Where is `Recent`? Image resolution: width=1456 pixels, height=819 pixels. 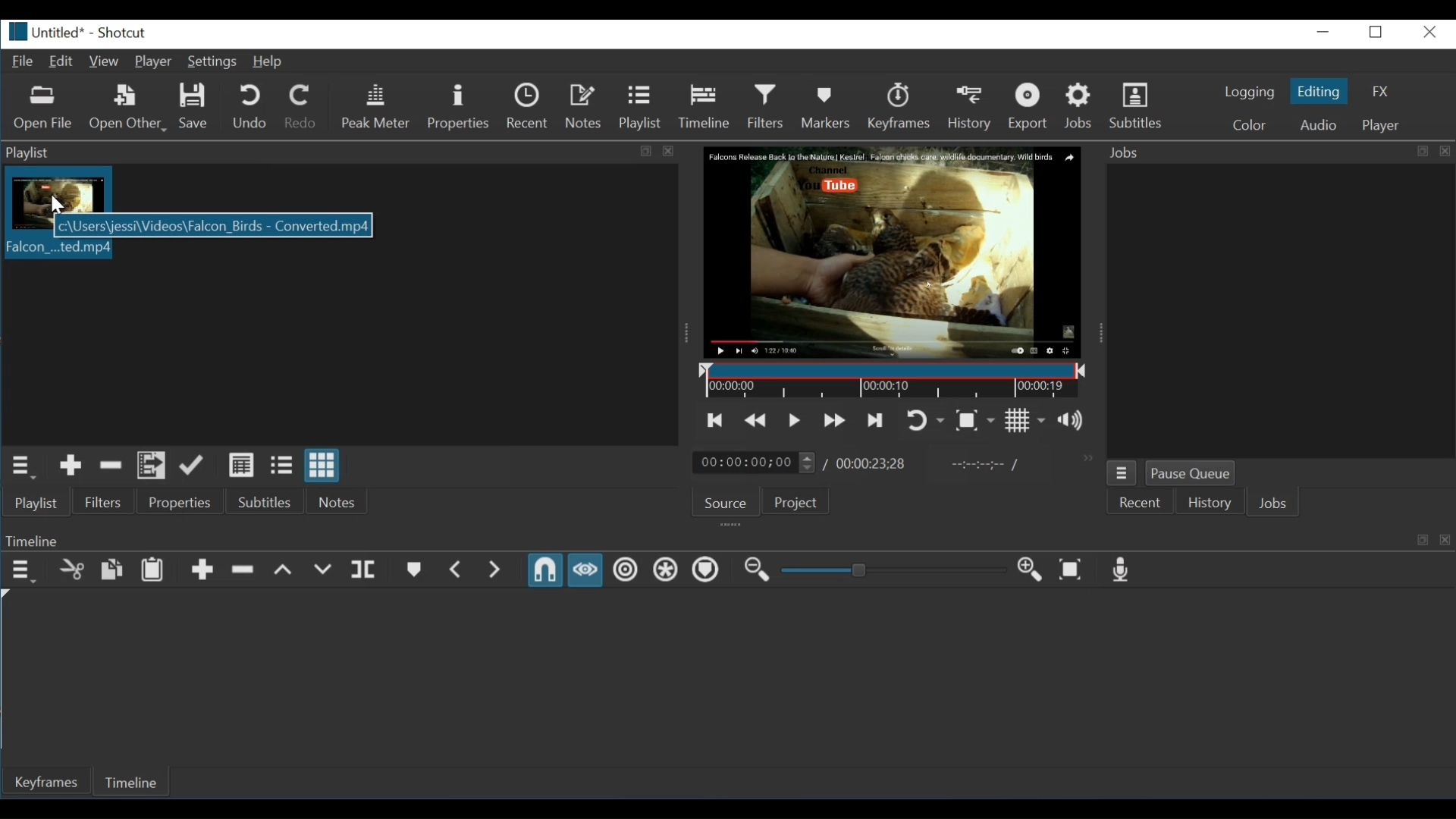
Recent is located at coordinates (529, 106).